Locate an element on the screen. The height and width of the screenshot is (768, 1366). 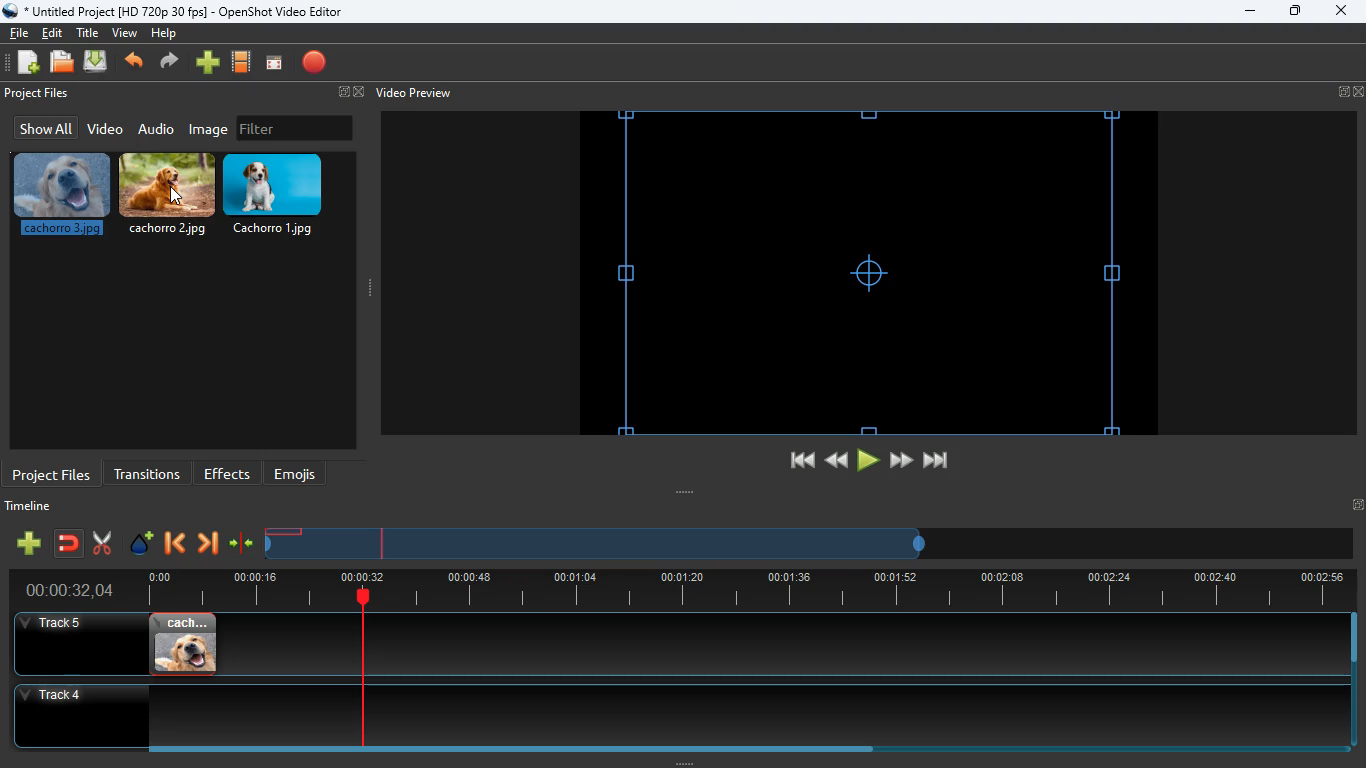
track 5 is located at coordinates (56, 624).